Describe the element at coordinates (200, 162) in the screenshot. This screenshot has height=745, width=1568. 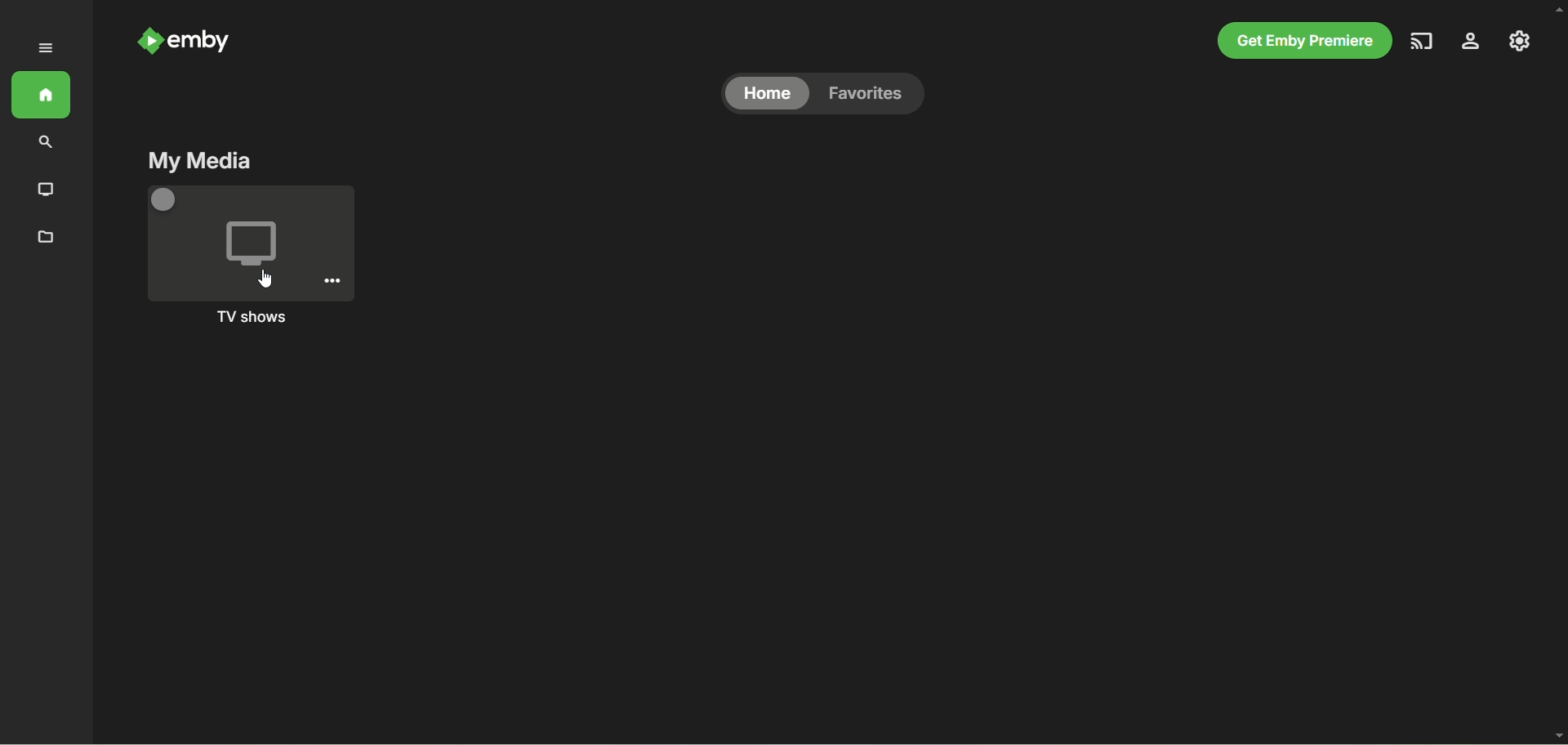
I see `my media` at that location.